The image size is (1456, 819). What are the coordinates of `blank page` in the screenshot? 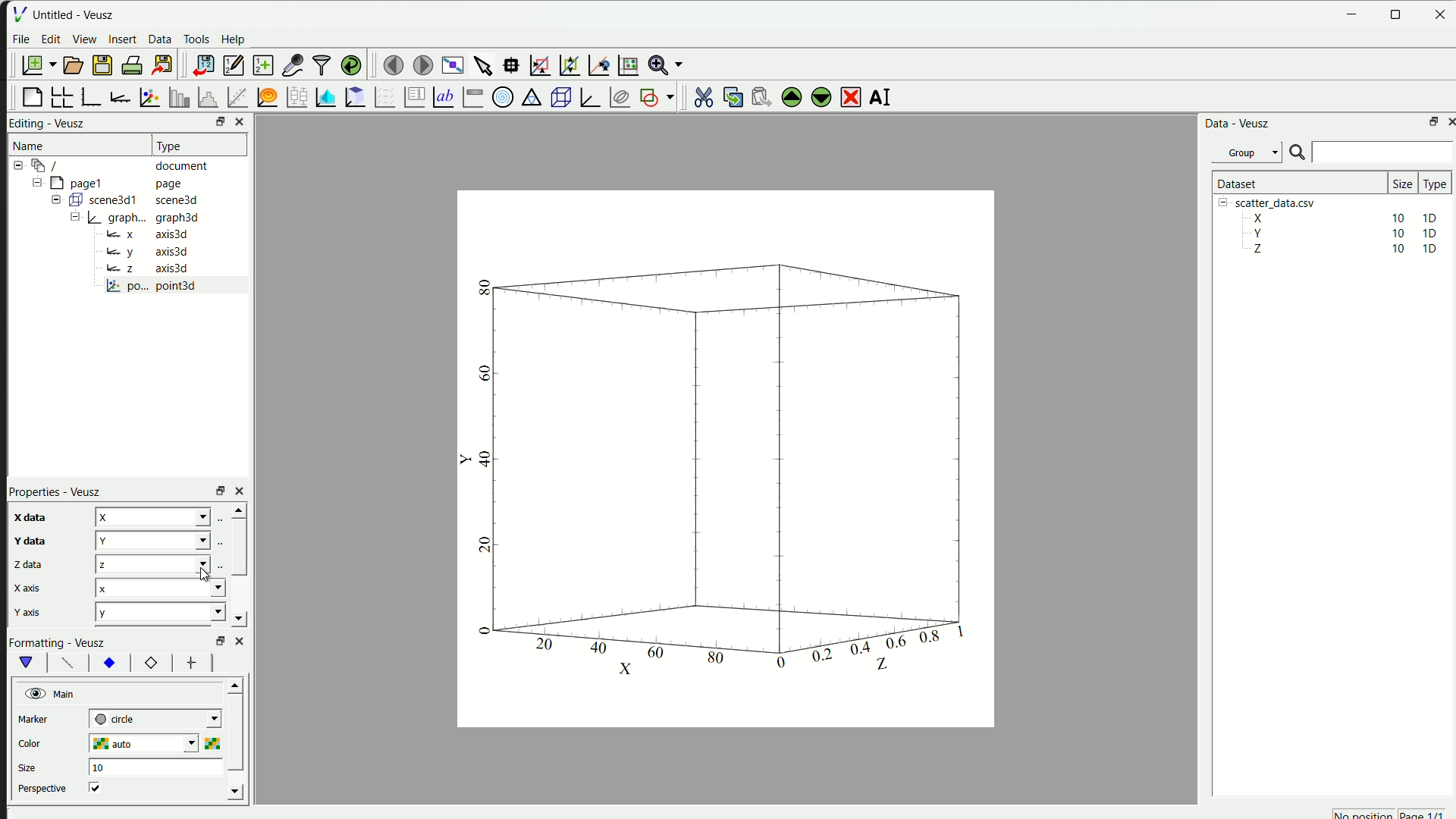 It's located at (28, 98).